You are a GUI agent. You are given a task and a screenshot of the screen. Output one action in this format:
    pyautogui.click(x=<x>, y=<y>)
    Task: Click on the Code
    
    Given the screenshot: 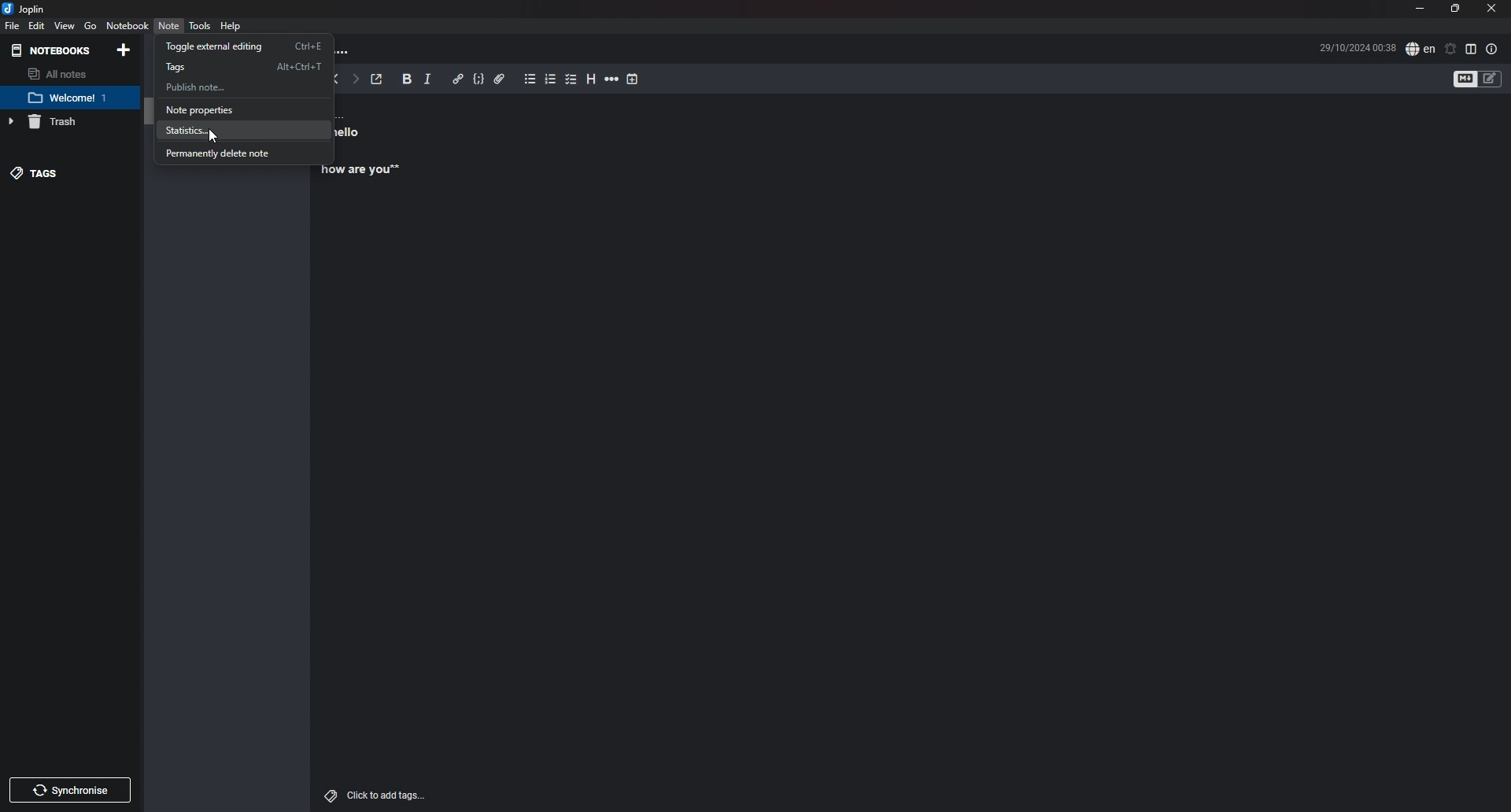 What is the action you would take?
    pyautogui.click(x=478, y=79)
    